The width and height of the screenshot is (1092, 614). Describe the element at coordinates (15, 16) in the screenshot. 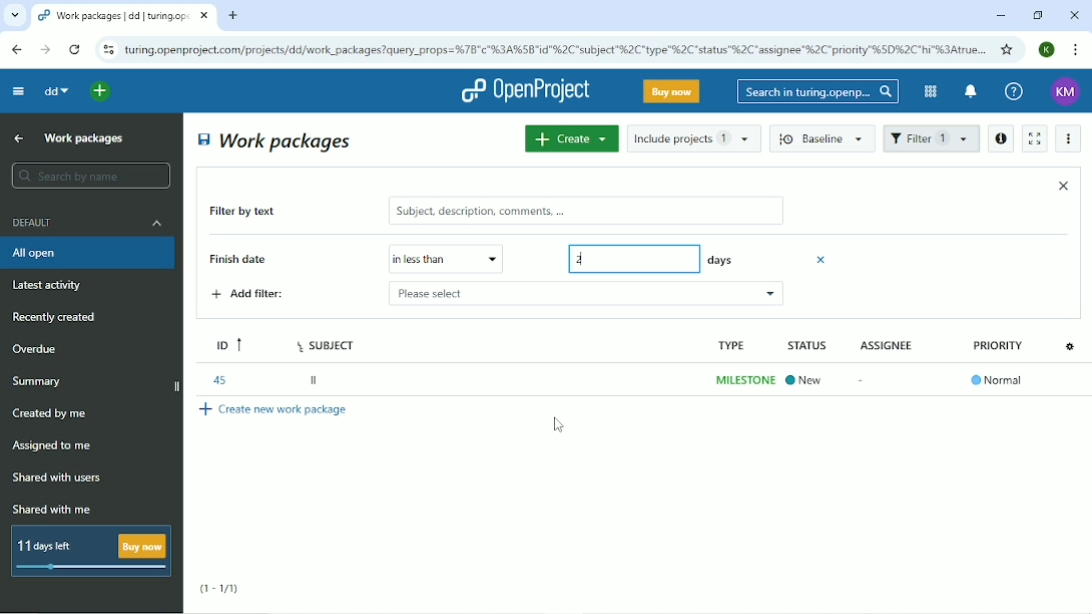

I see `Search tabs` at that location.